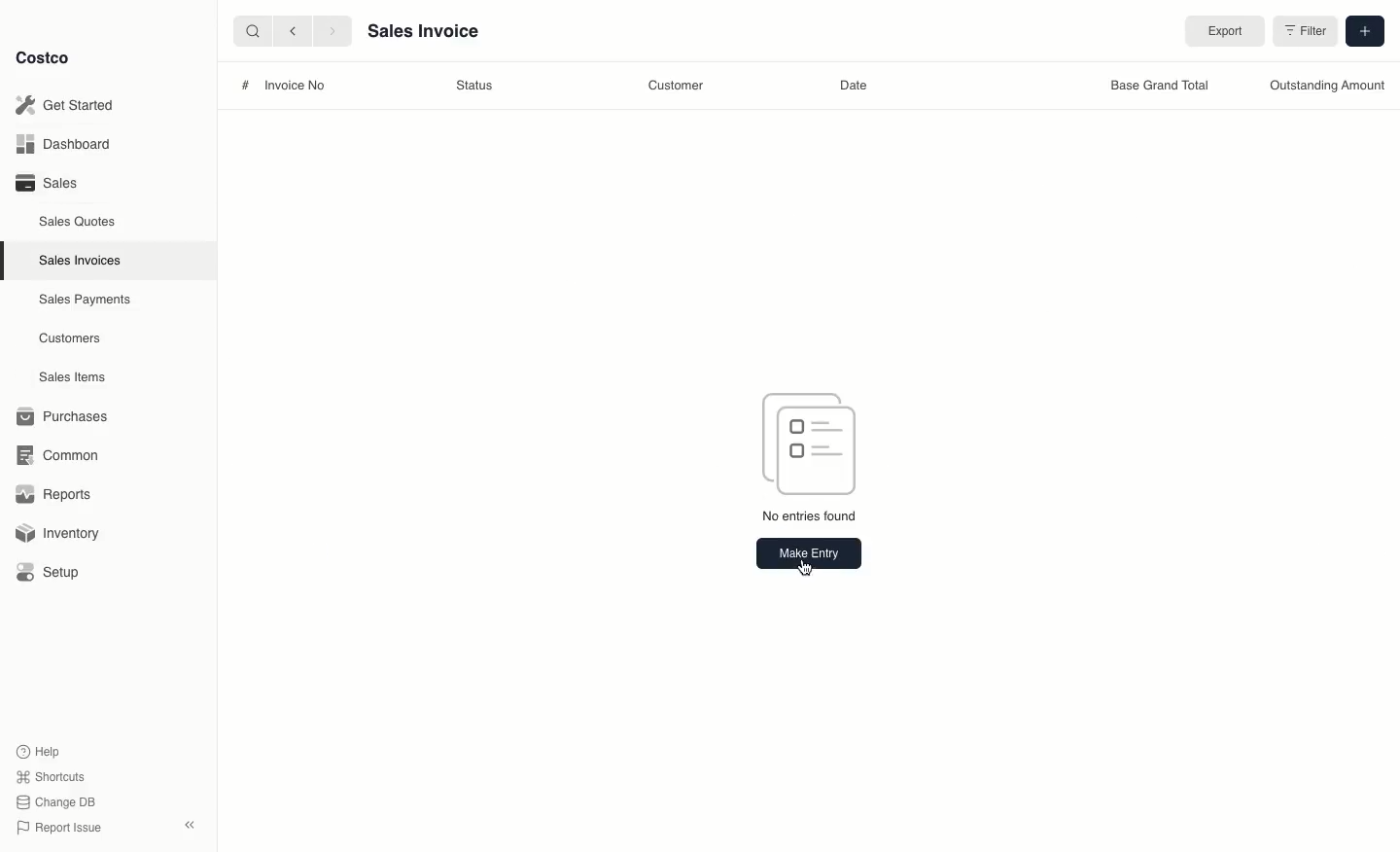  What do you see at coordinates (803, 565) in the screenshot?
I see `cursor` at bounding box center [803, 565].